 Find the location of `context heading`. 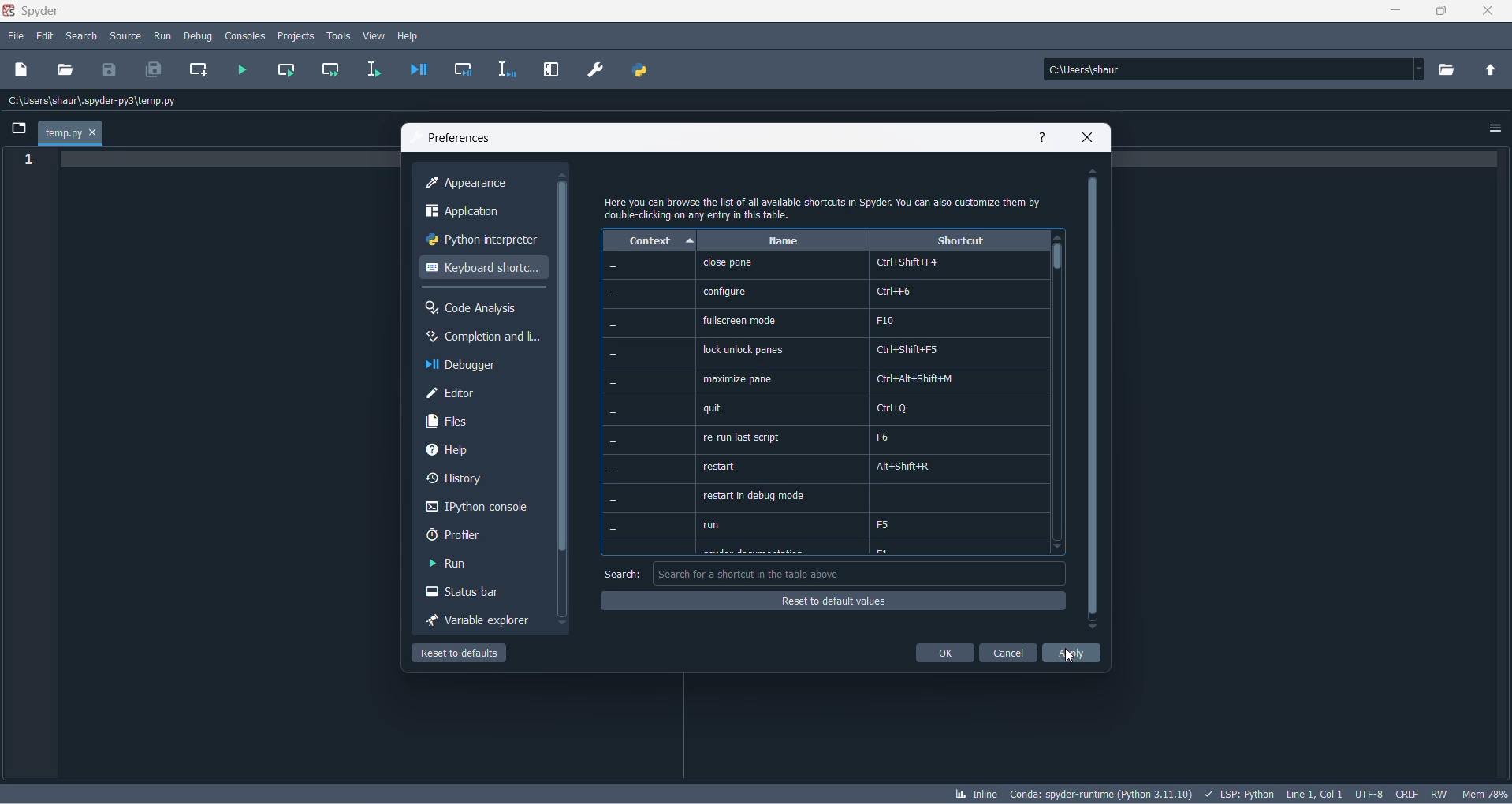

context heading is located at coordinates (650, 241).